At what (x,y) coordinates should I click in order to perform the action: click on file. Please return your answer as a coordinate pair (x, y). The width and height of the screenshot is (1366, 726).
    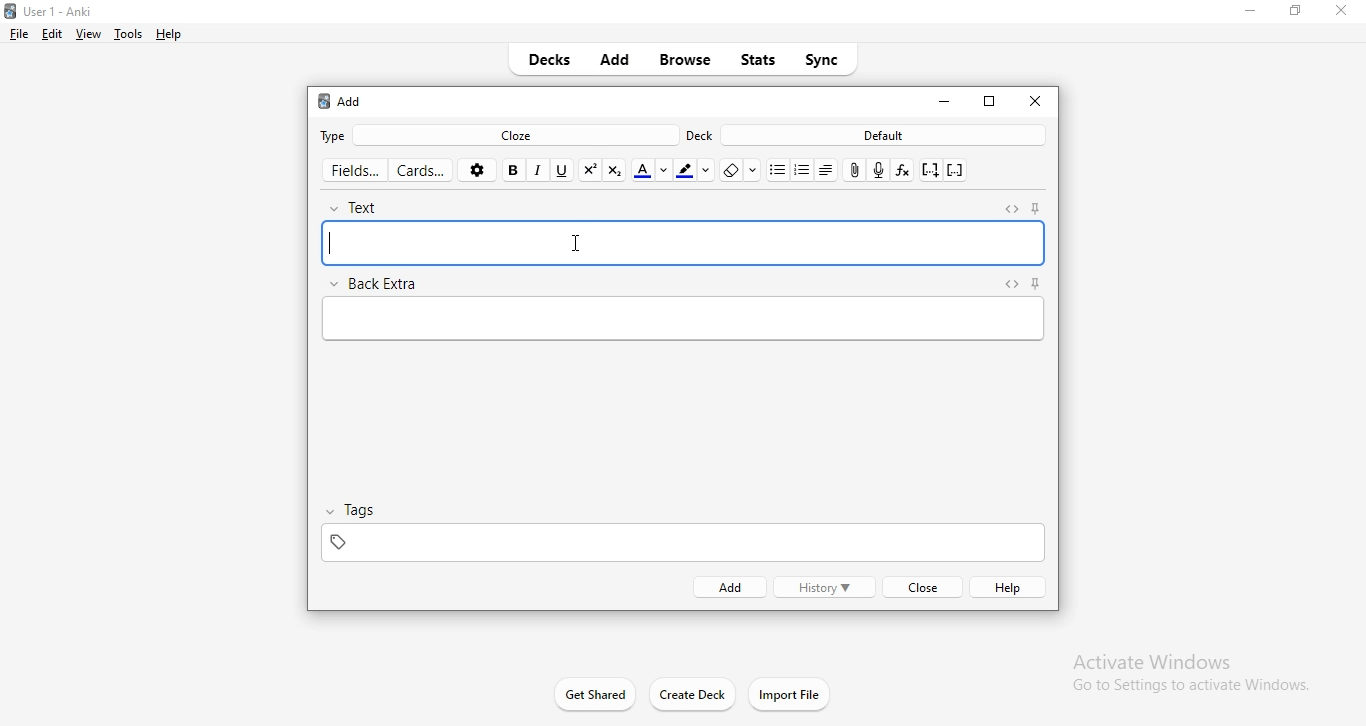
    Looking at the image, I should click on (22, 35).